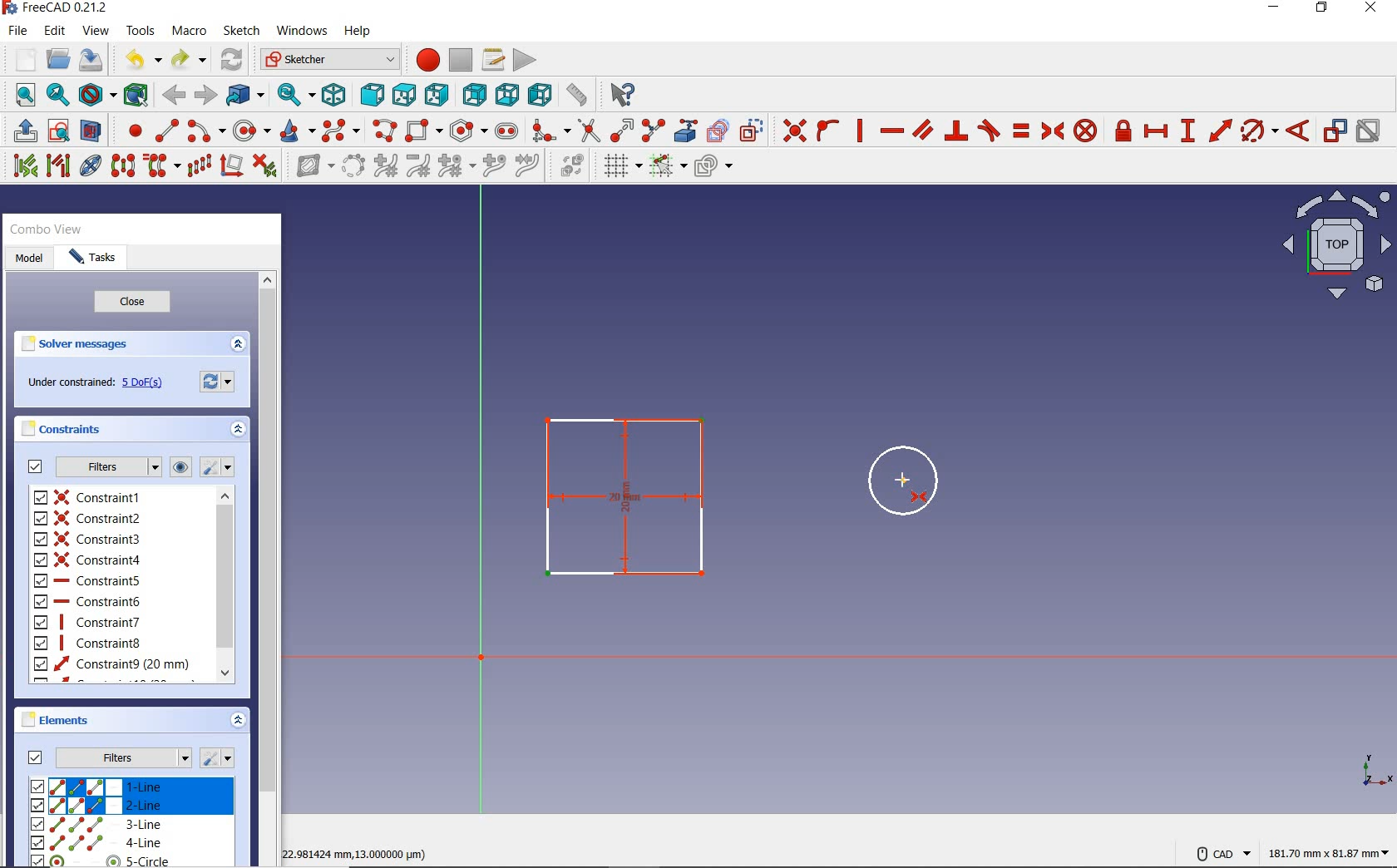 This screenshot has width=1397, height=868. I want to click on convert geometry to b-spline, so click(353, 165).